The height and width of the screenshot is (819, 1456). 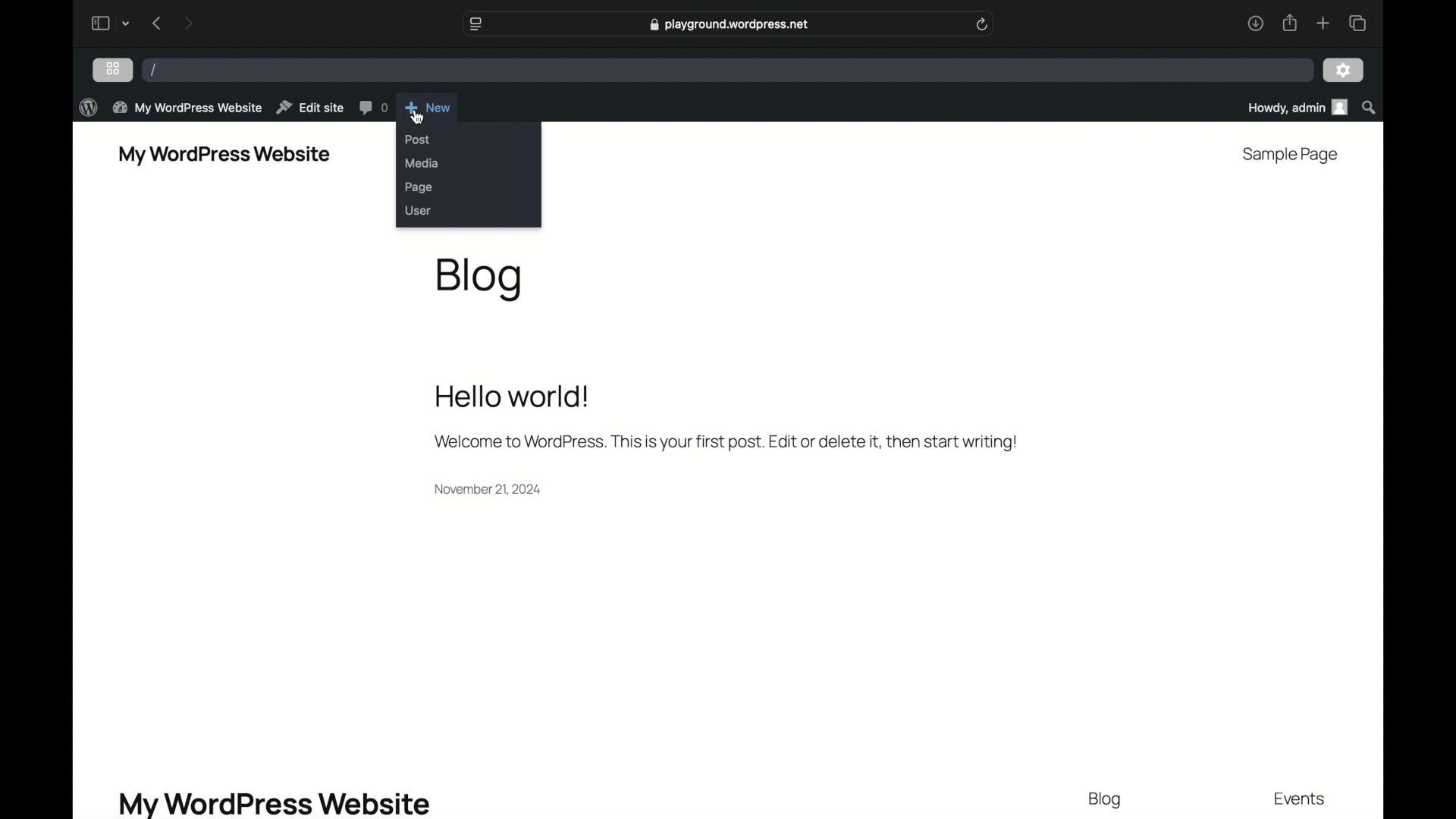 I want to click on settings, so click(x=1344, y=71).